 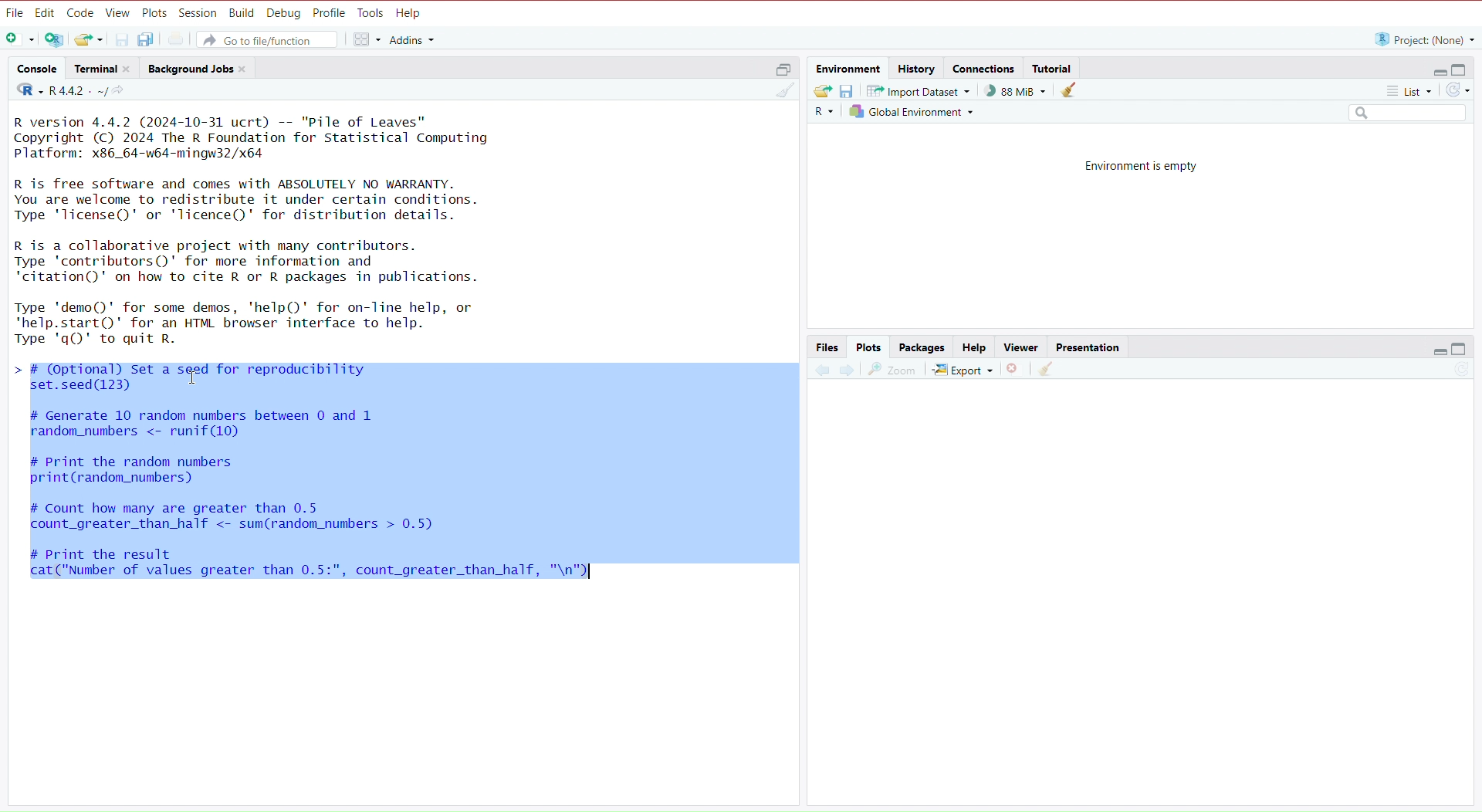 I want to click on Hide, so click(x=1439, y=70).